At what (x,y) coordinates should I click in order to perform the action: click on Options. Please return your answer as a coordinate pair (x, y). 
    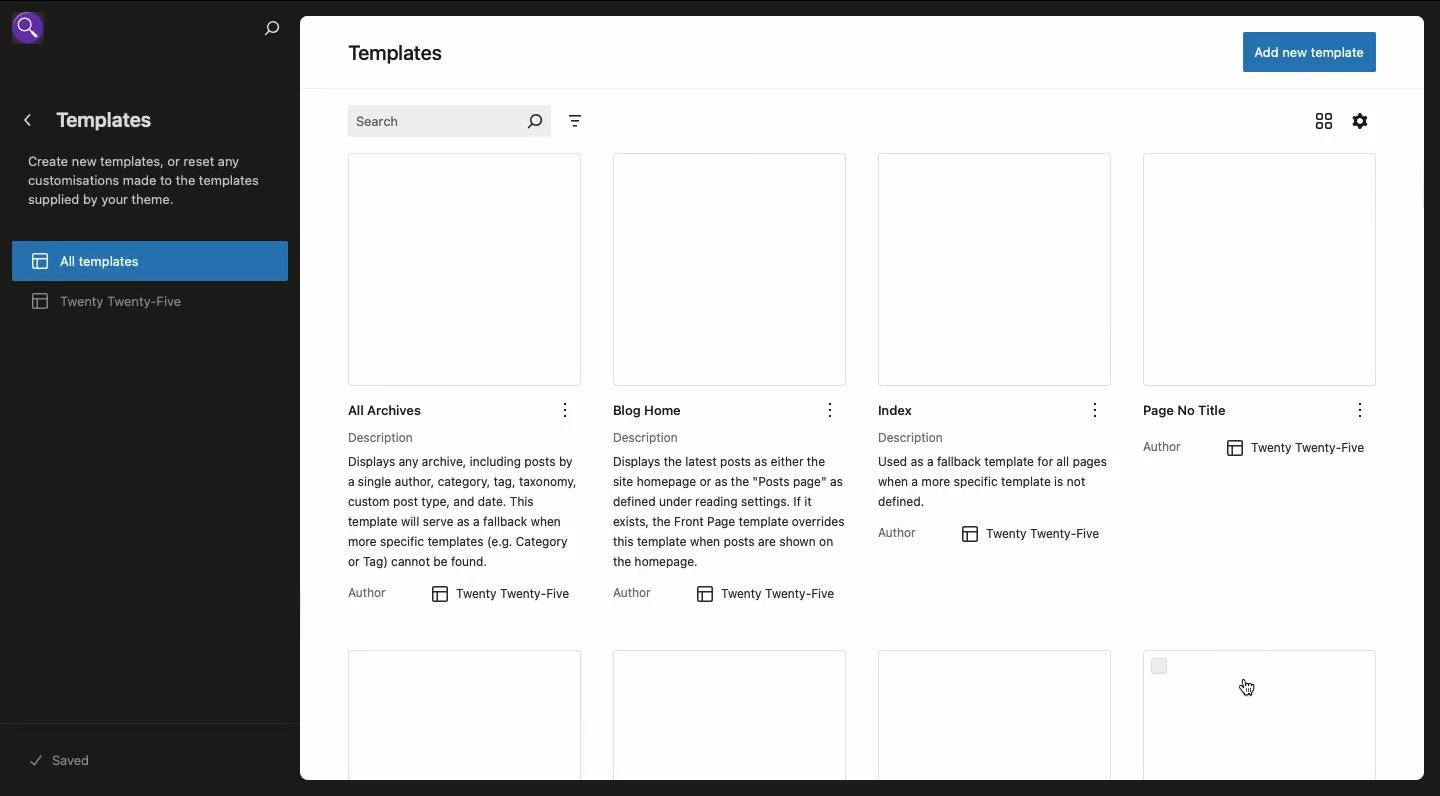
    Looking at the image, I should click on (832, 412).